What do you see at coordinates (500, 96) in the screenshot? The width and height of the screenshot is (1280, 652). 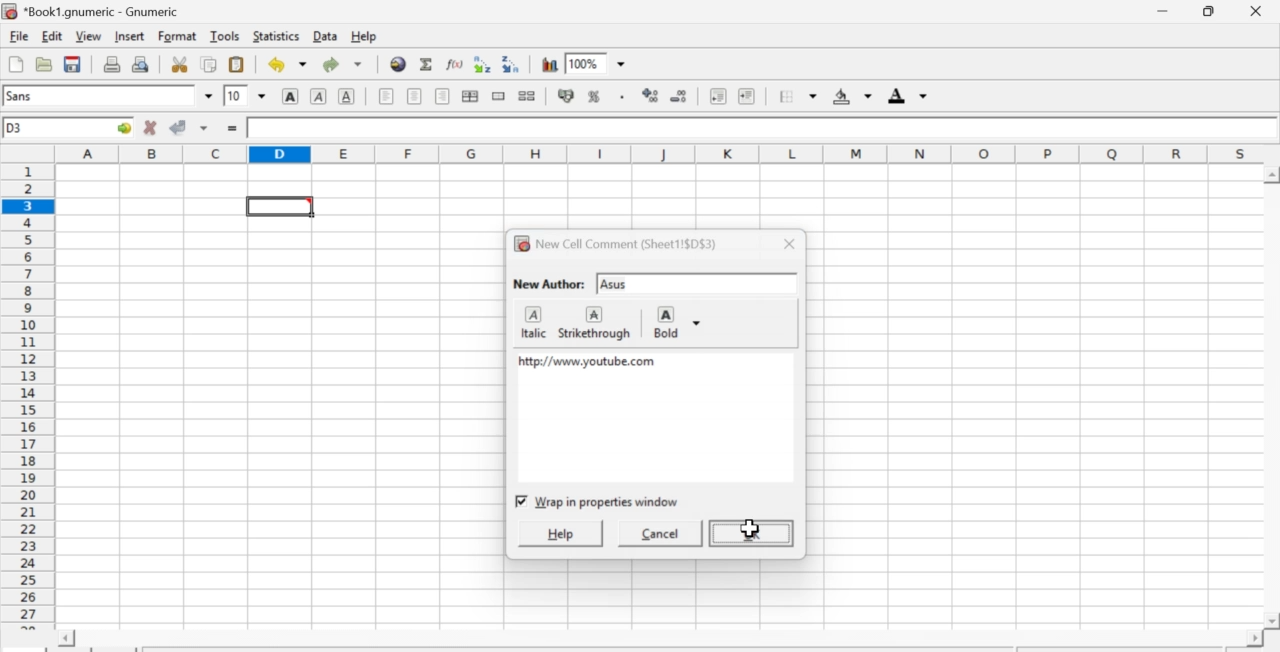 I see `Merge cells` at bounding box center [500, 96].